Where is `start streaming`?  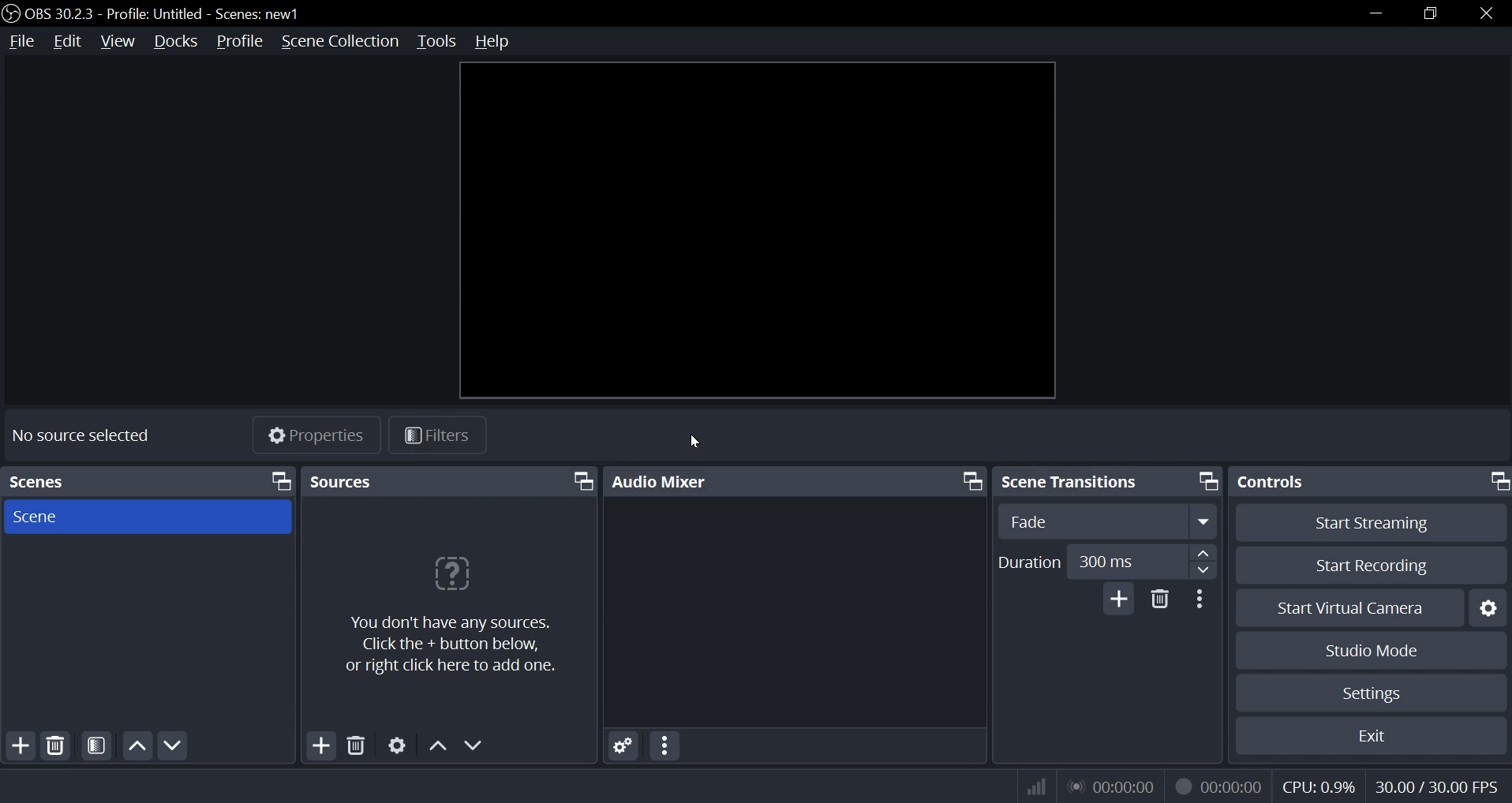 start streaming is located at coordinates (1371, 523).